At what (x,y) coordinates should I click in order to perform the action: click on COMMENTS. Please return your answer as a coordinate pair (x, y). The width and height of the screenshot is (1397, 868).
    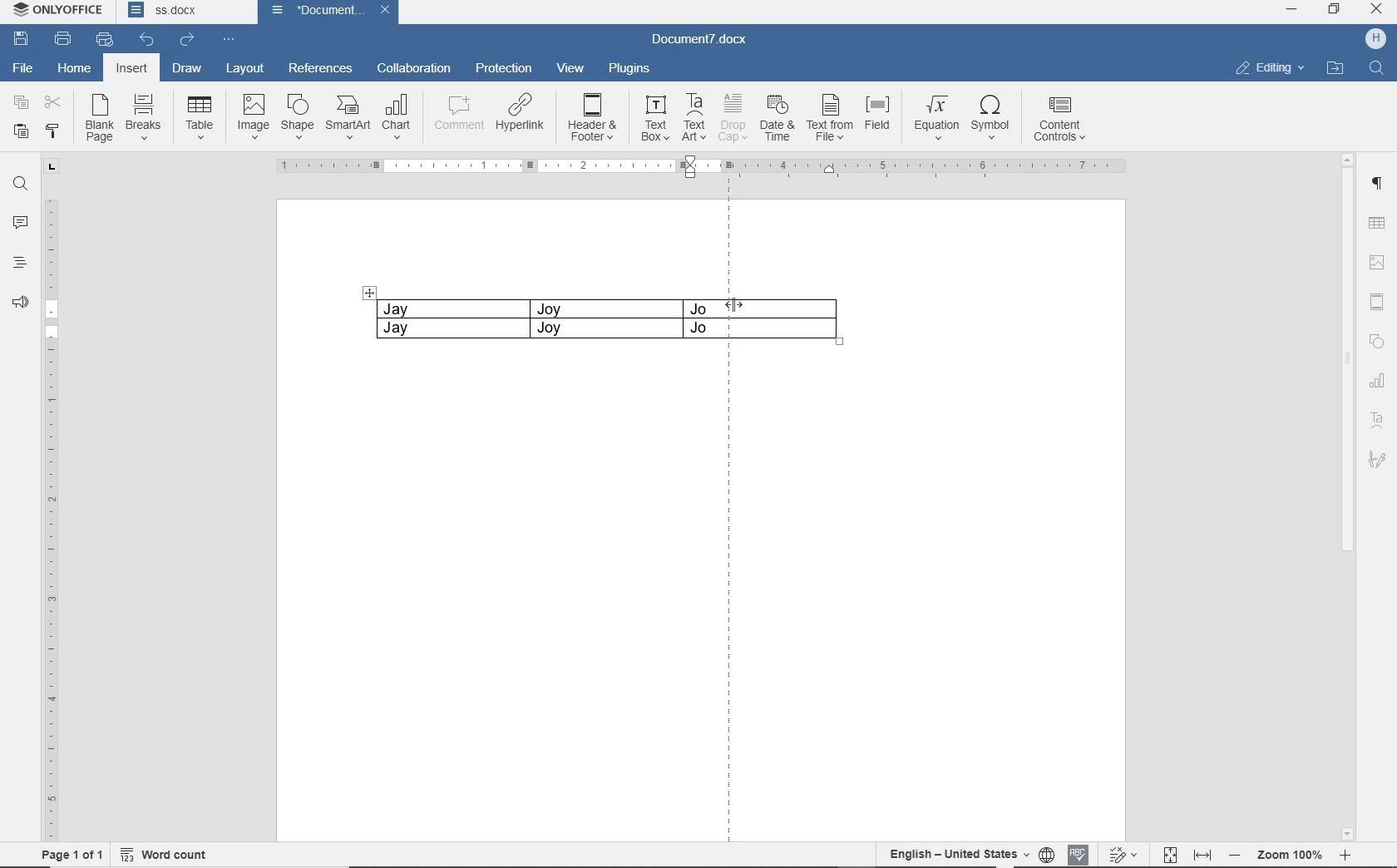
    Looking at the image, I should click on (20, 222).